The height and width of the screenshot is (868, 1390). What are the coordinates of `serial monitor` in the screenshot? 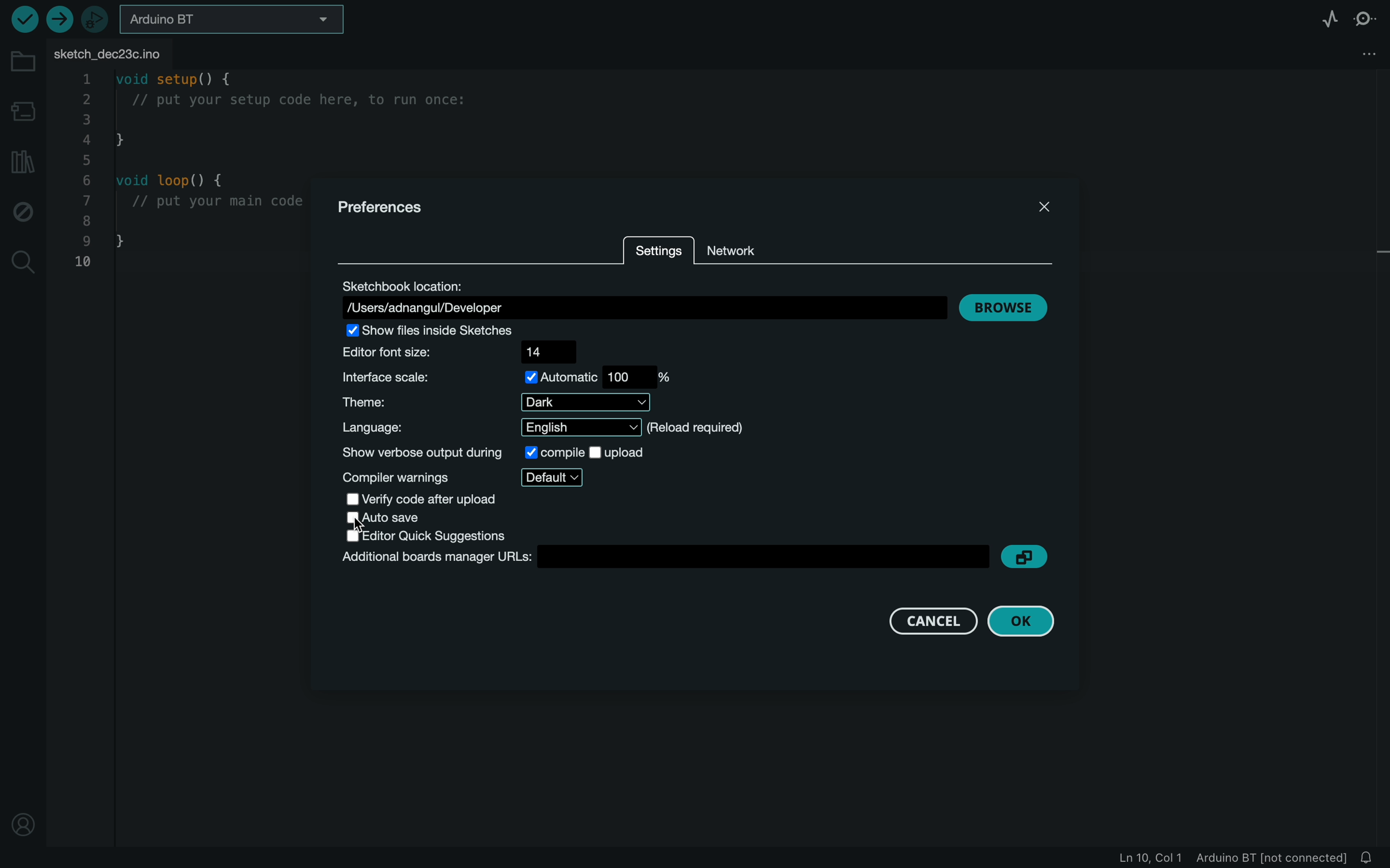 It's located at (1365, 19).